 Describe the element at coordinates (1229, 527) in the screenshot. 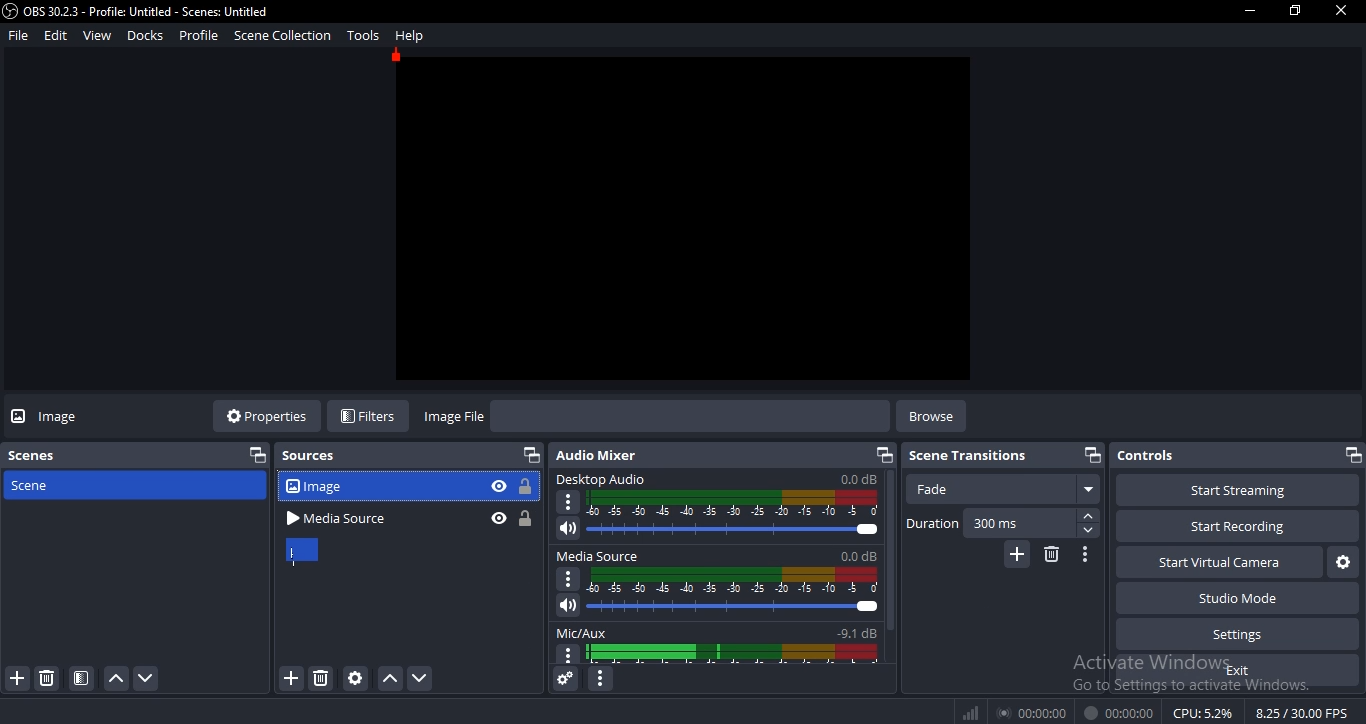

I see `start recording` at that location.